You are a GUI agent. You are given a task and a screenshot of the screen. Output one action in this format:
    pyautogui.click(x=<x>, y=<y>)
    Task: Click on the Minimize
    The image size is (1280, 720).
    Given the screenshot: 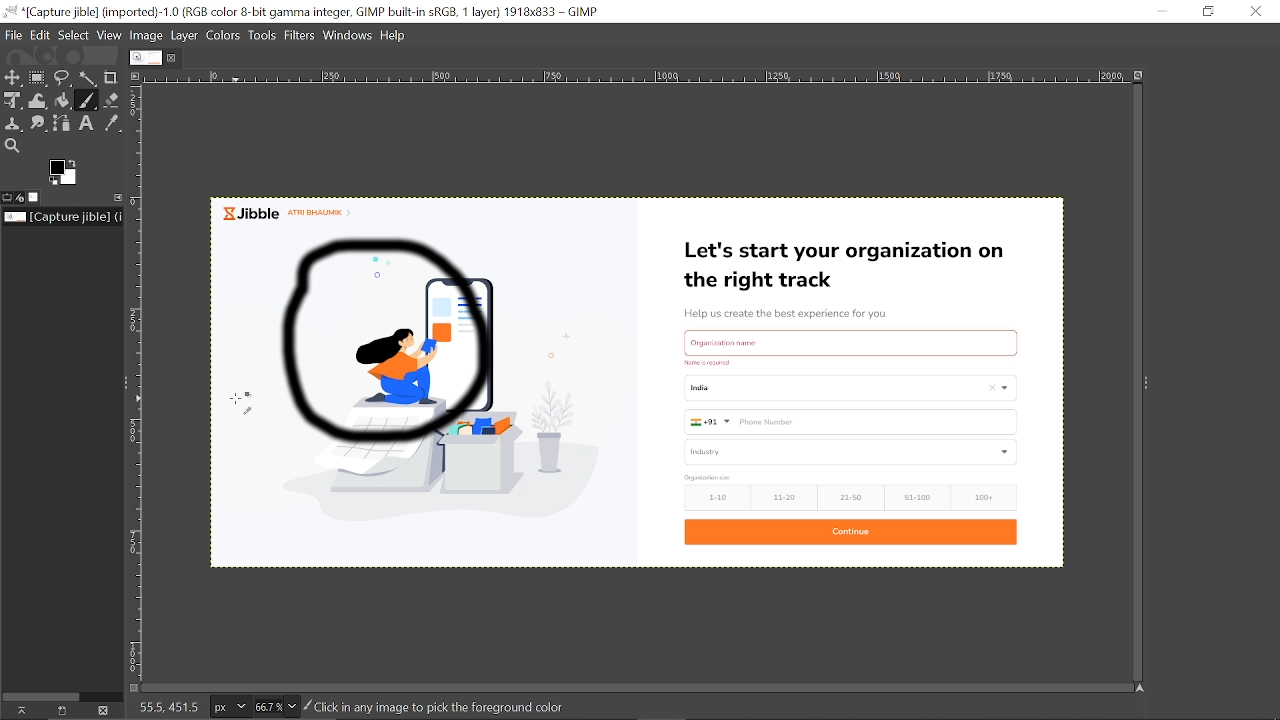 What is the action you would take?
    pyautogui.click(x=1162, y=10)
    